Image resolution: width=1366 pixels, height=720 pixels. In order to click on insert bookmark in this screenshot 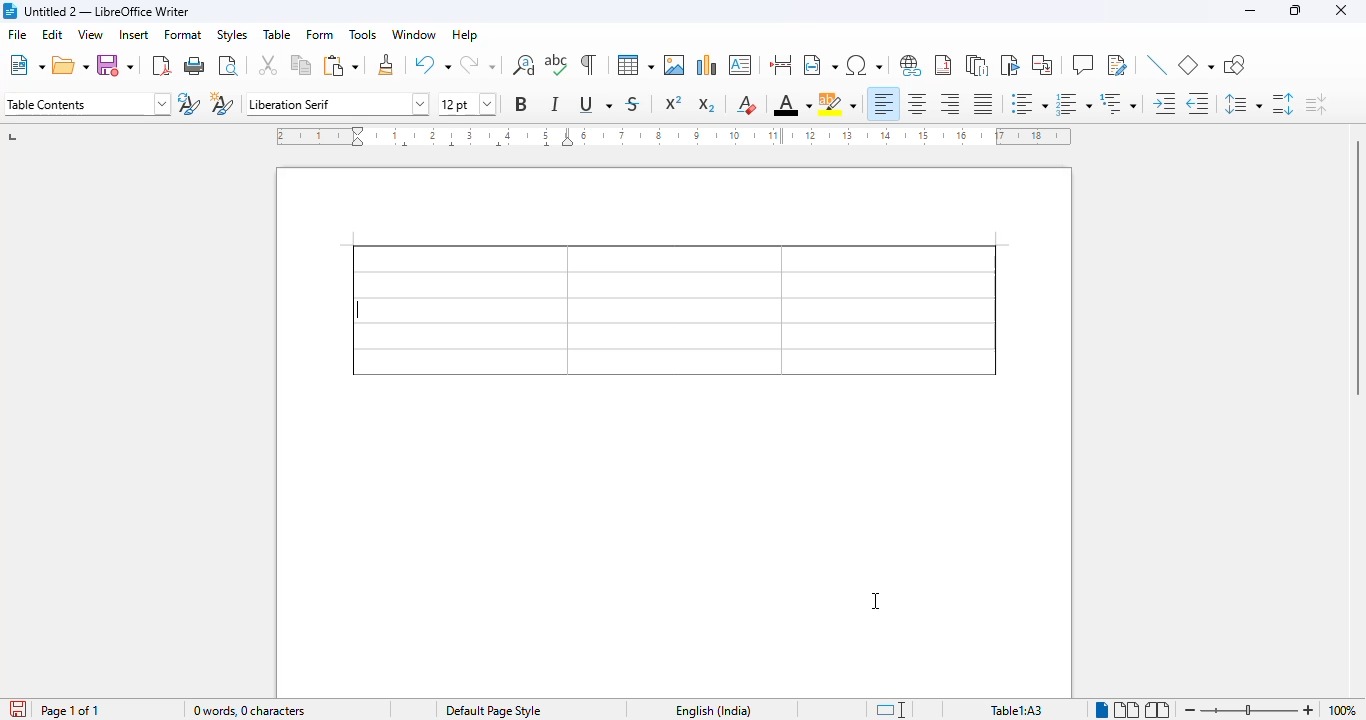, I will do `click(1008, 65)`.